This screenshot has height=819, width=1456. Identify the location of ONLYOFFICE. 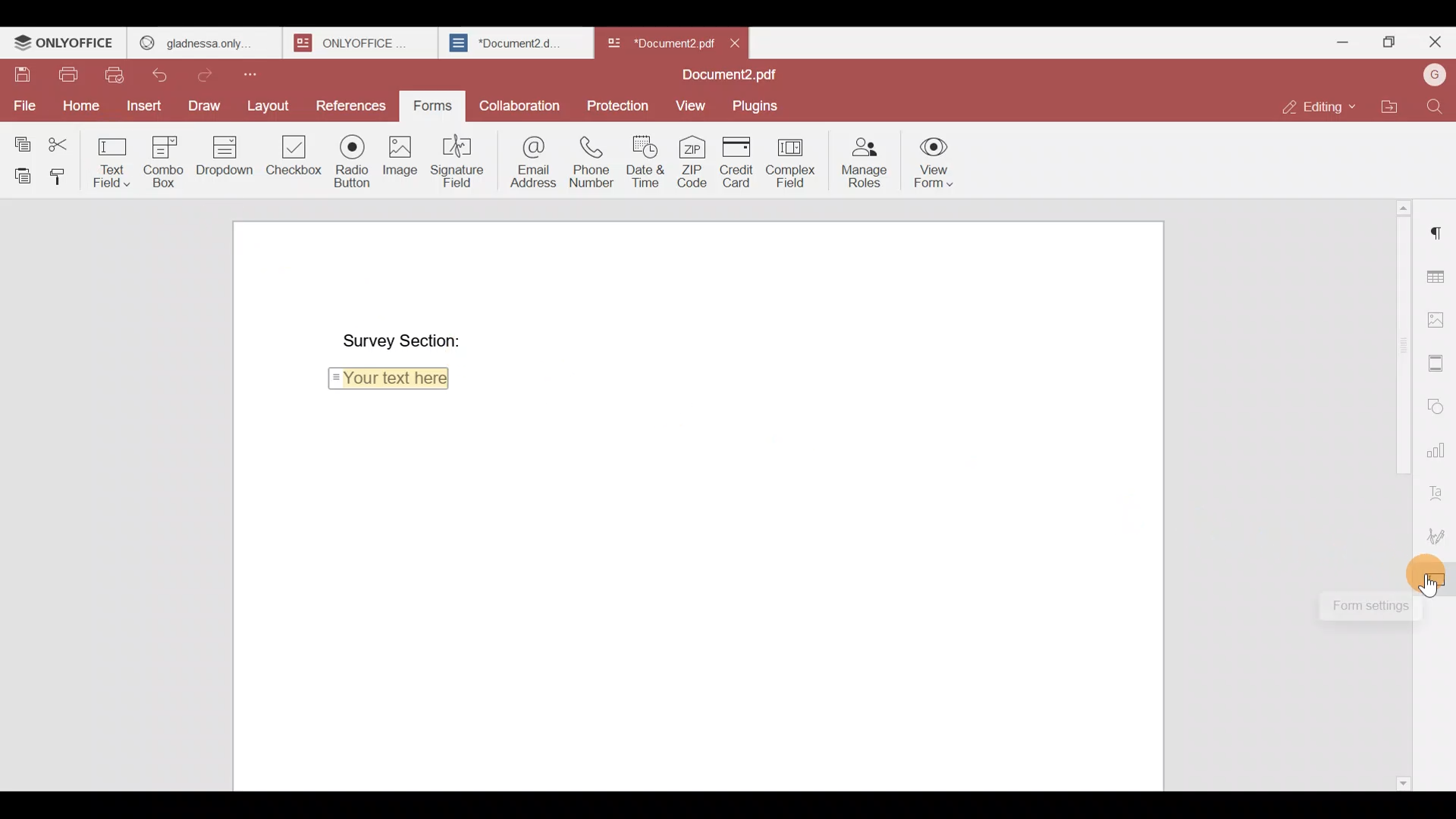
(356, 42).